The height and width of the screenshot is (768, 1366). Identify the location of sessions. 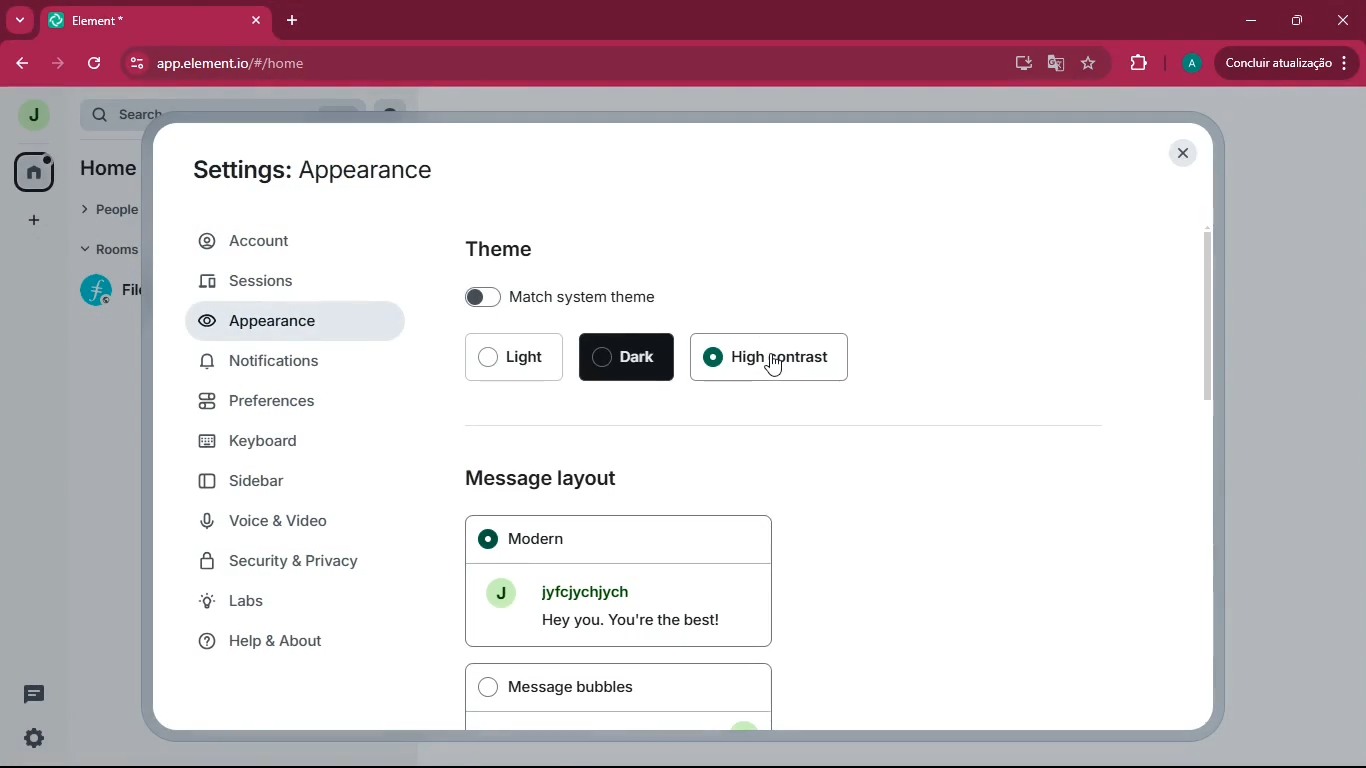
(279, 283).